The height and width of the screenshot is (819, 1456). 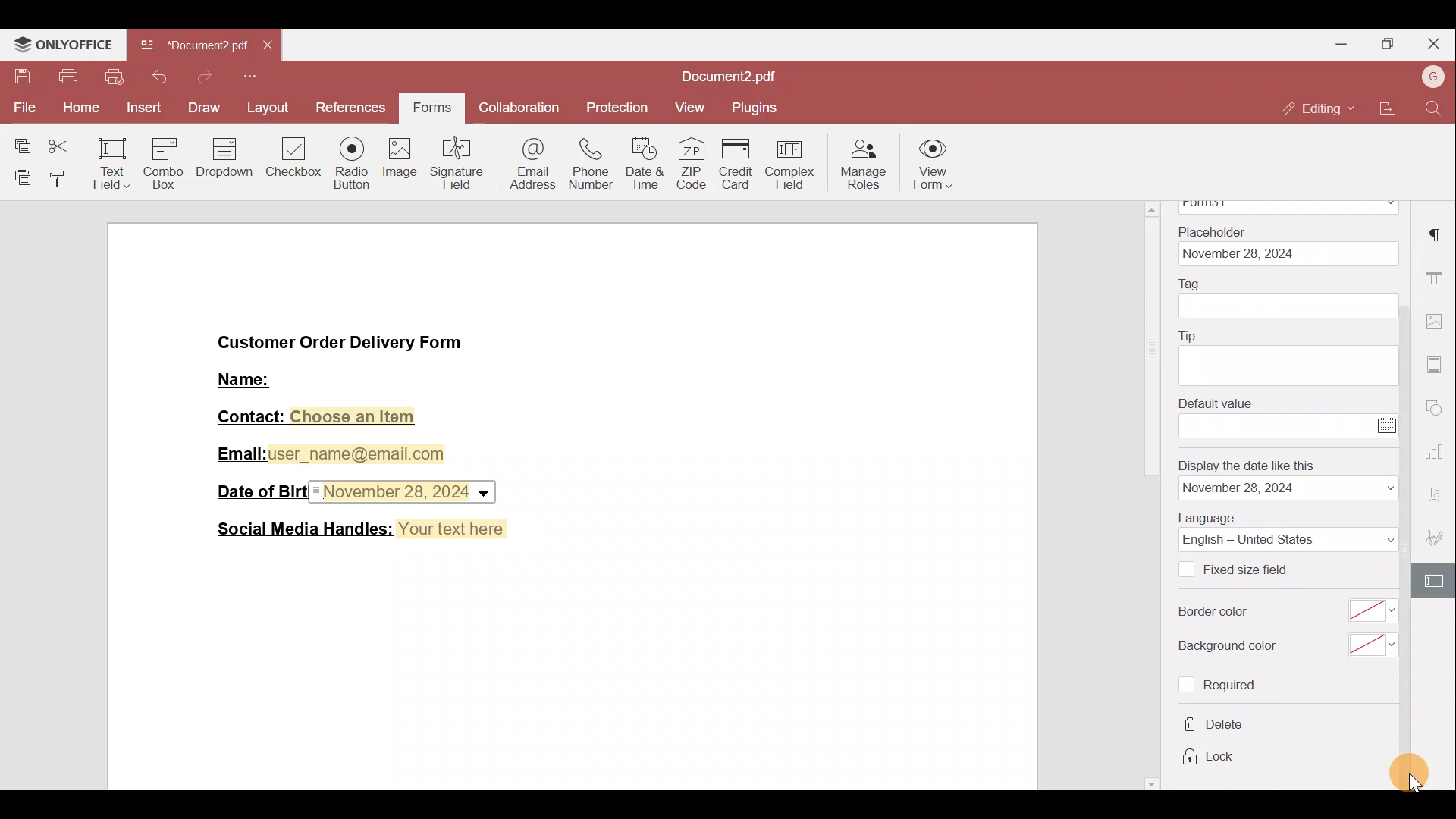 What do you see at coordinates (63, 42) in the screenshot?
I see `ONLYOFFICE` at bounding box center [63, 42].